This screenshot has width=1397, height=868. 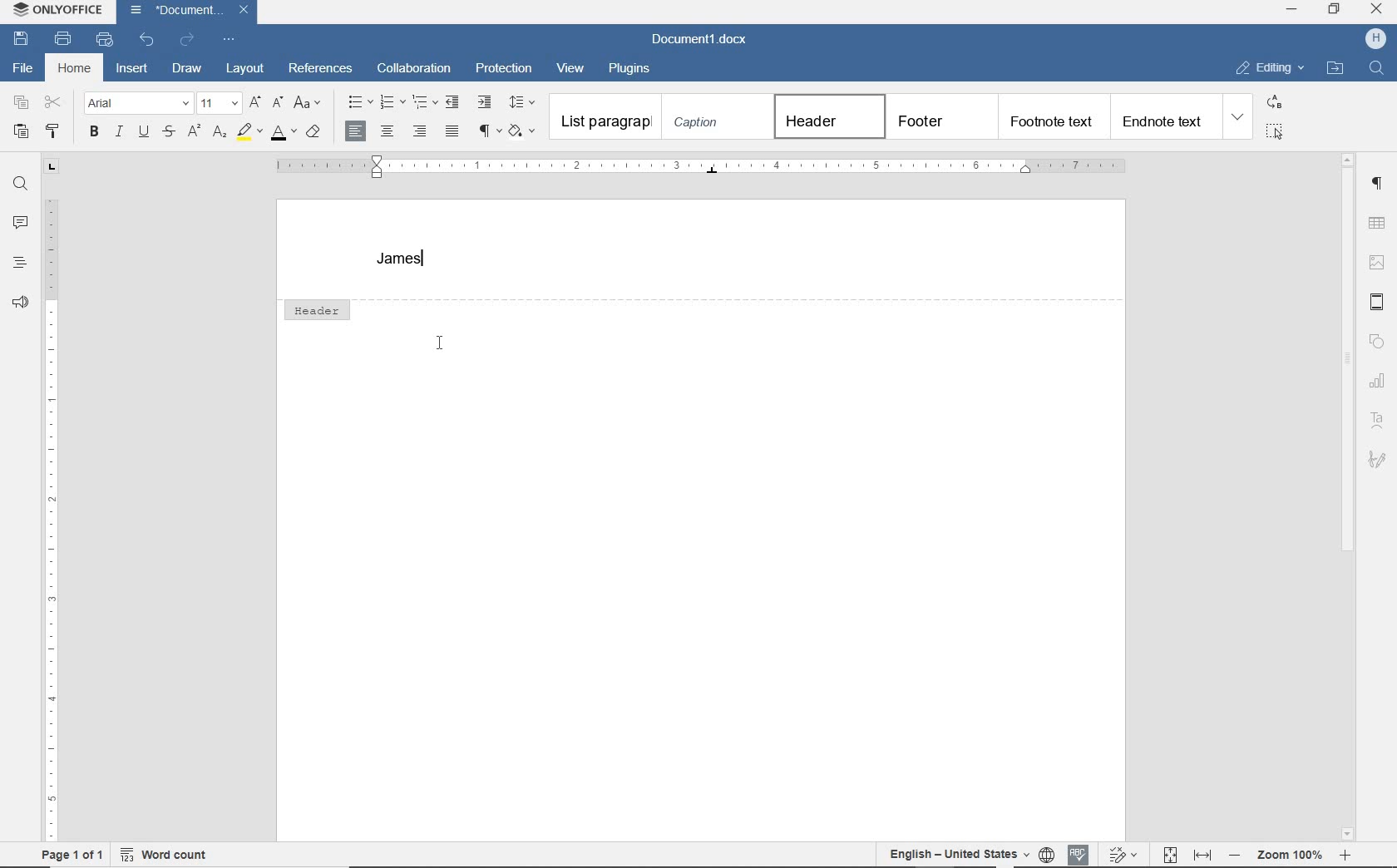 I want to click on reload, so click(x=188, y=37).